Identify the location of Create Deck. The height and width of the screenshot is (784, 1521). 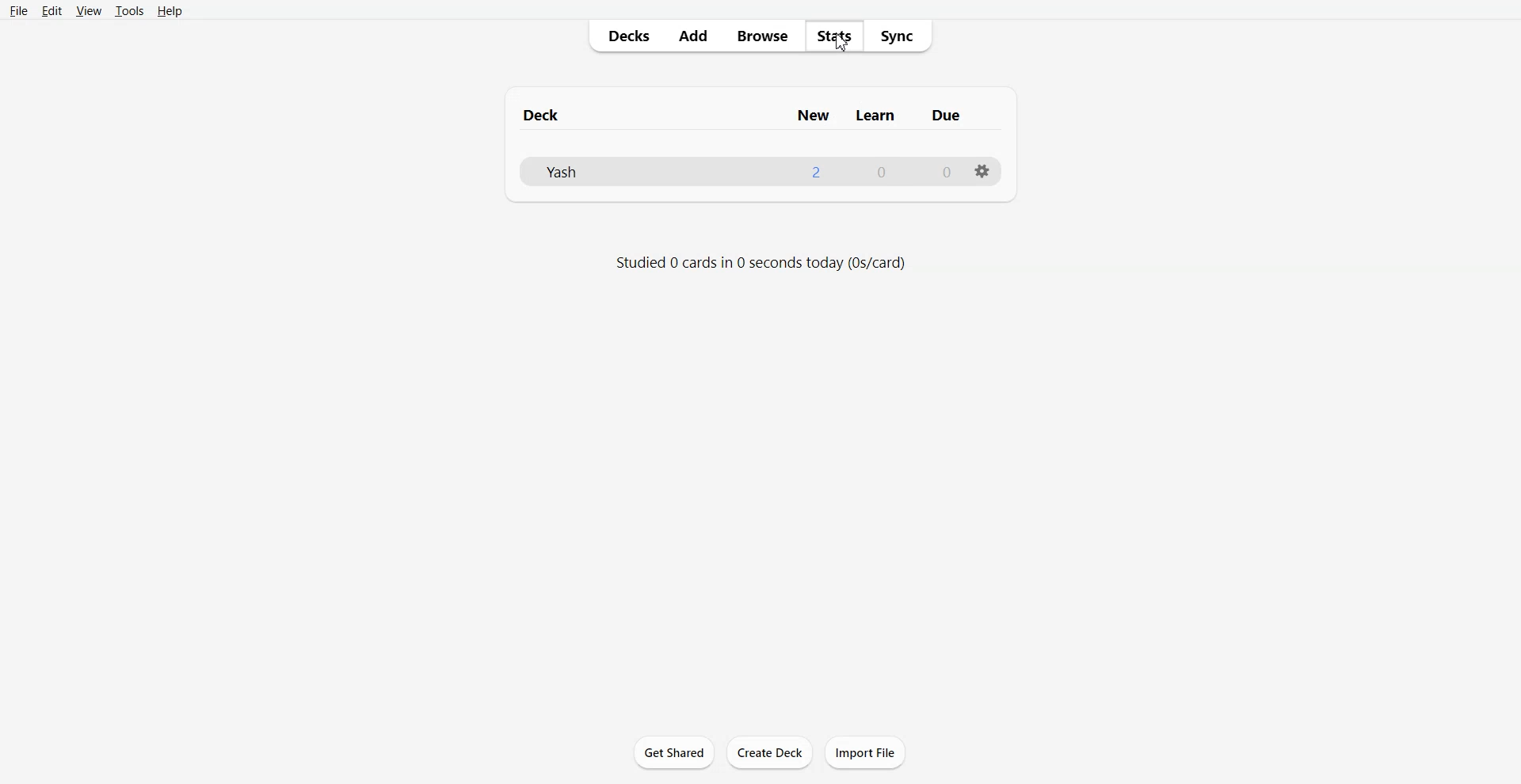
(770, 752).